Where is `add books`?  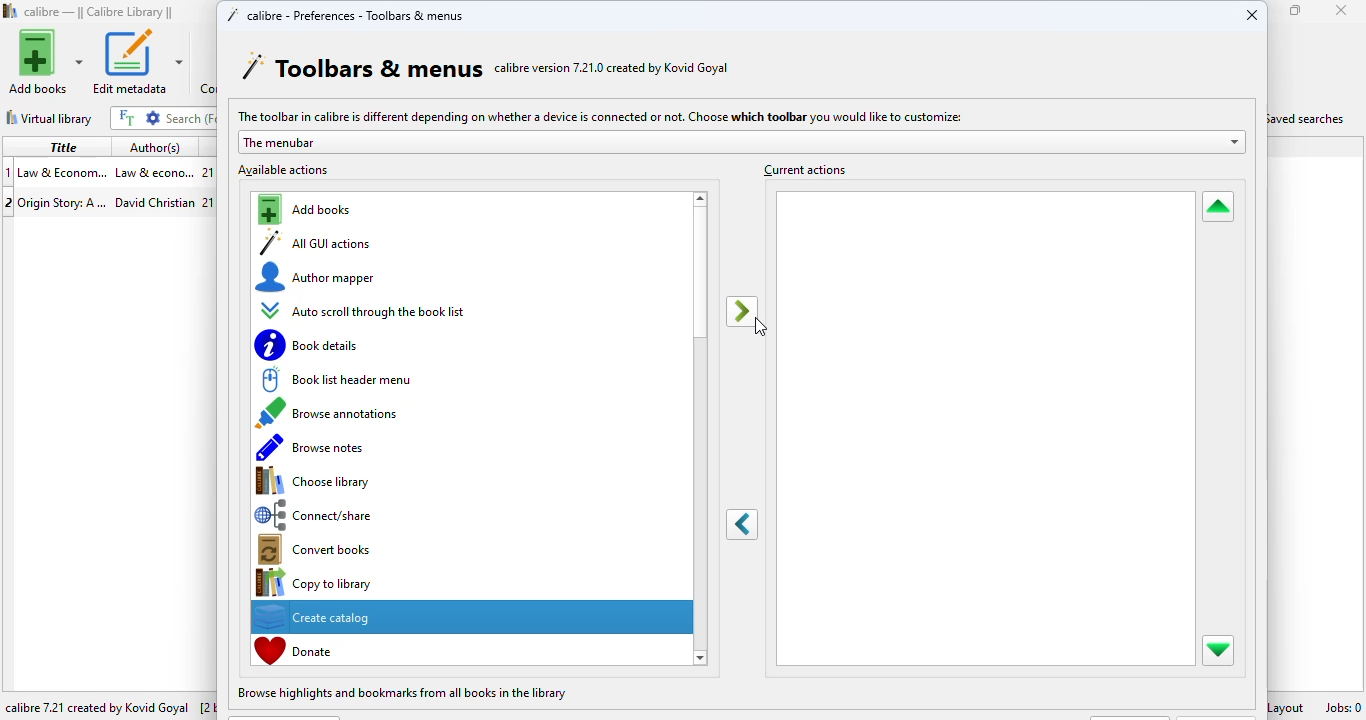 add books is located at coordinates (308, 210).